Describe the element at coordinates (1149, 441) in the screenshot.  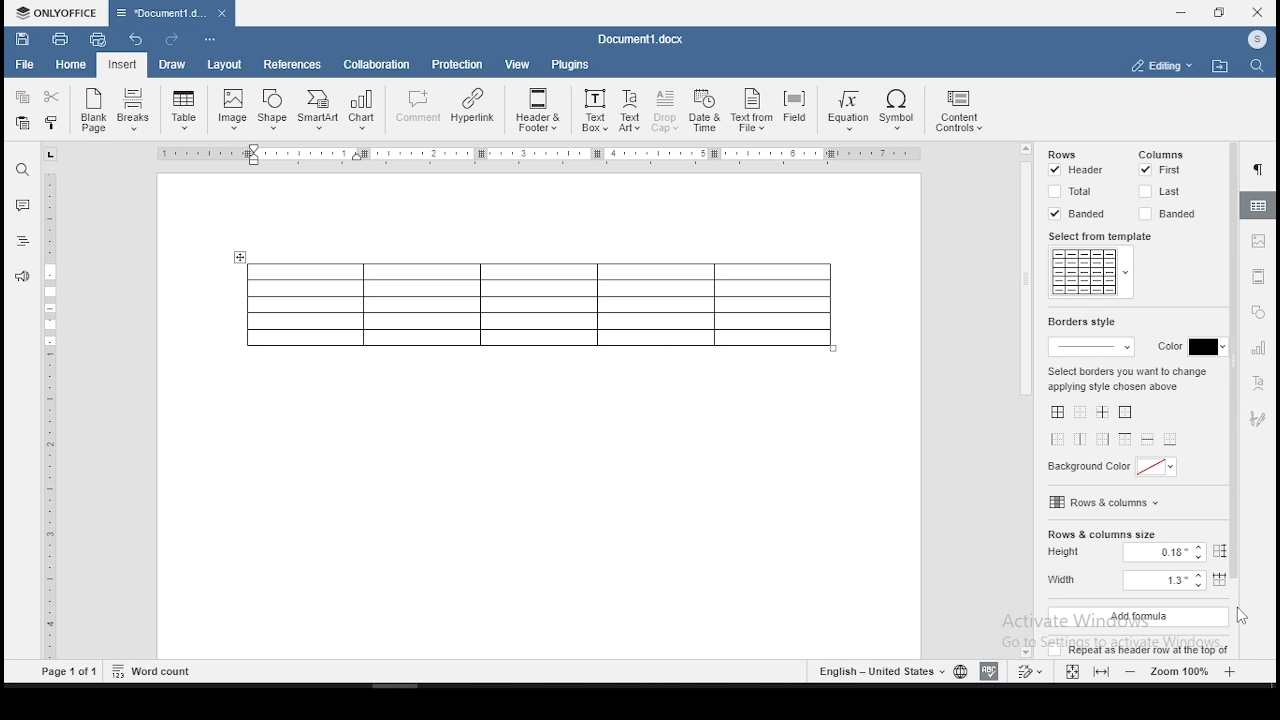
I see `only horizontal inner lines` at that location.